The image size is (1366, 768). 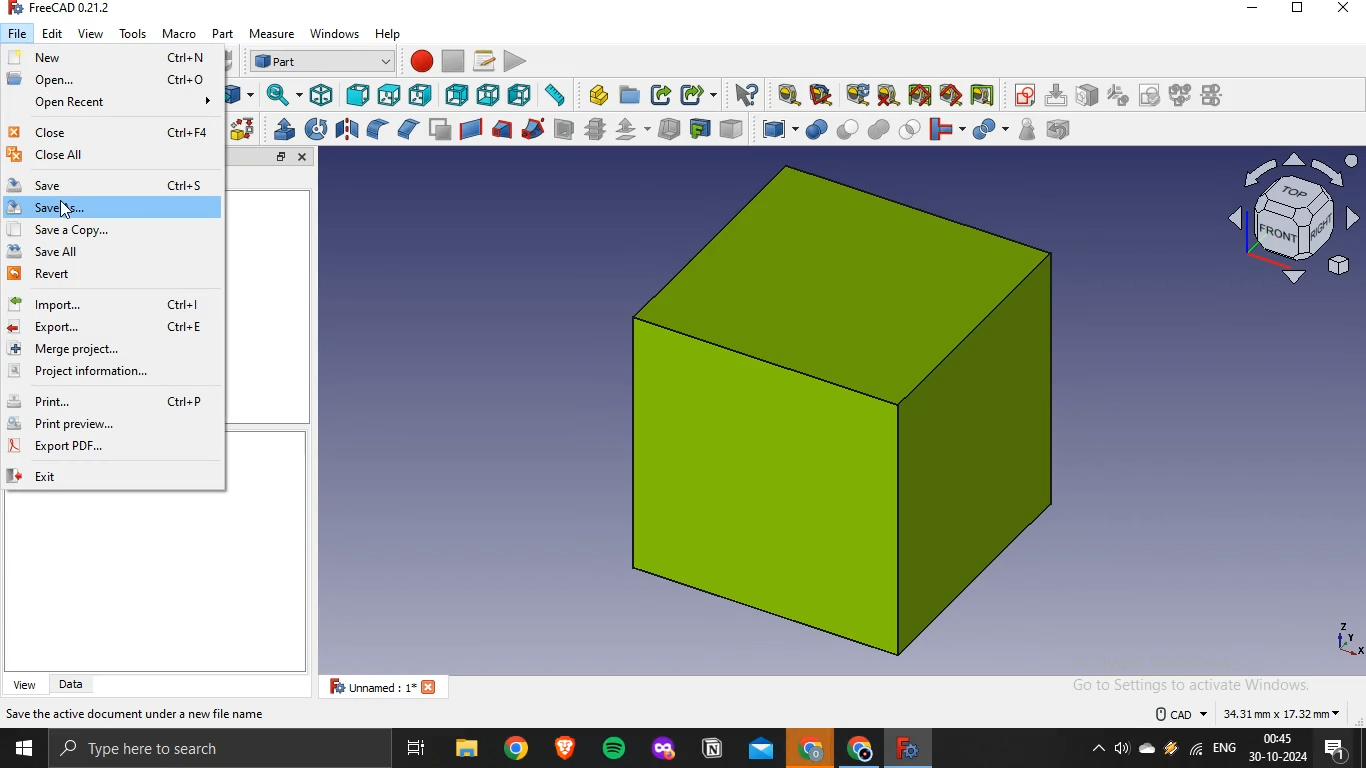 What do you see at coordinates (108, 104) in the screenshot?
I see `open recent` at bounding box center [108, 104].